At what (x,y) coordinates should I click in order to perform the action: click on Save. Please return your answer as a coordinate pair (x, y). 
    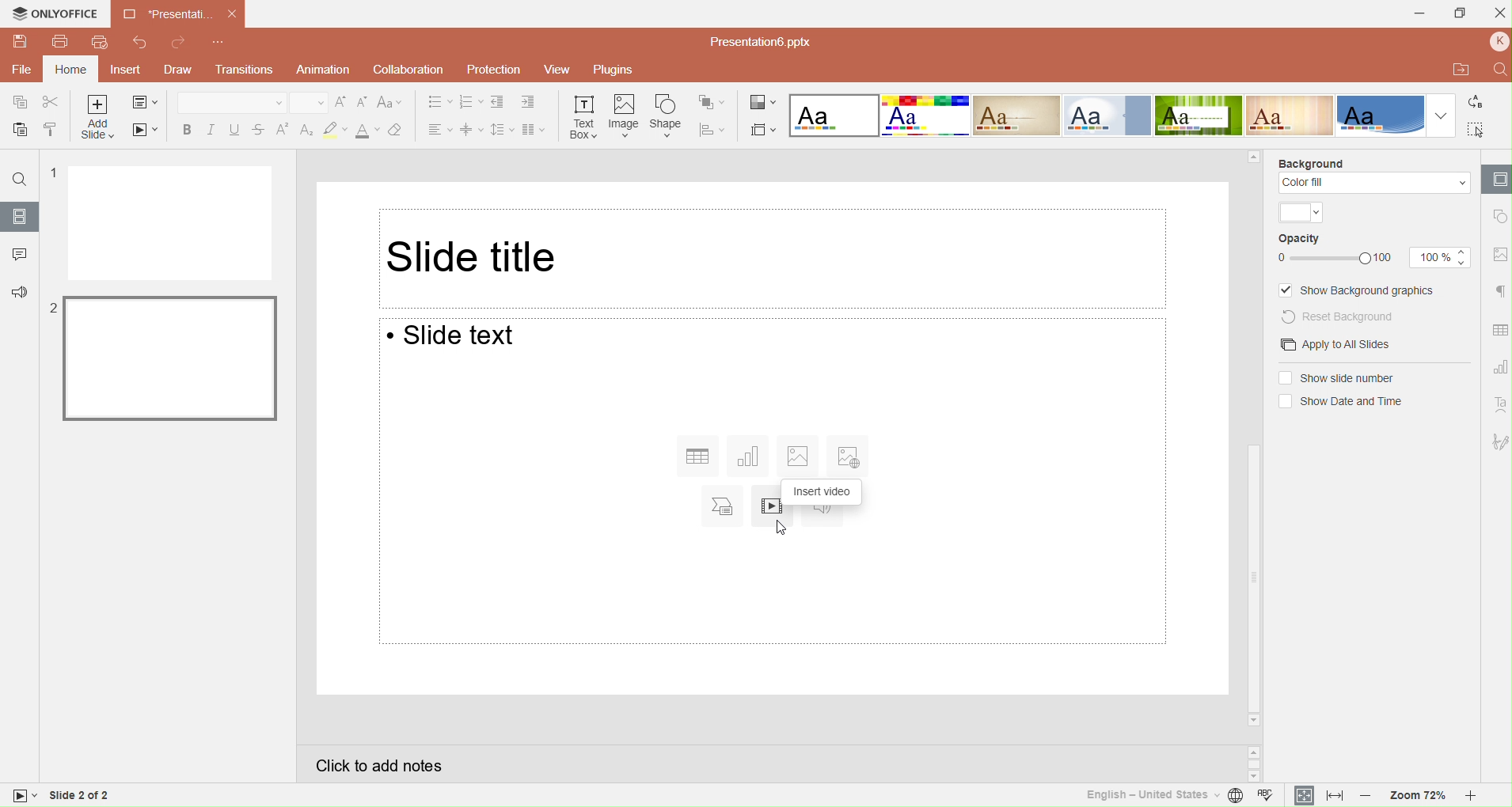
    Looking at the image, I should click on (19, 41).